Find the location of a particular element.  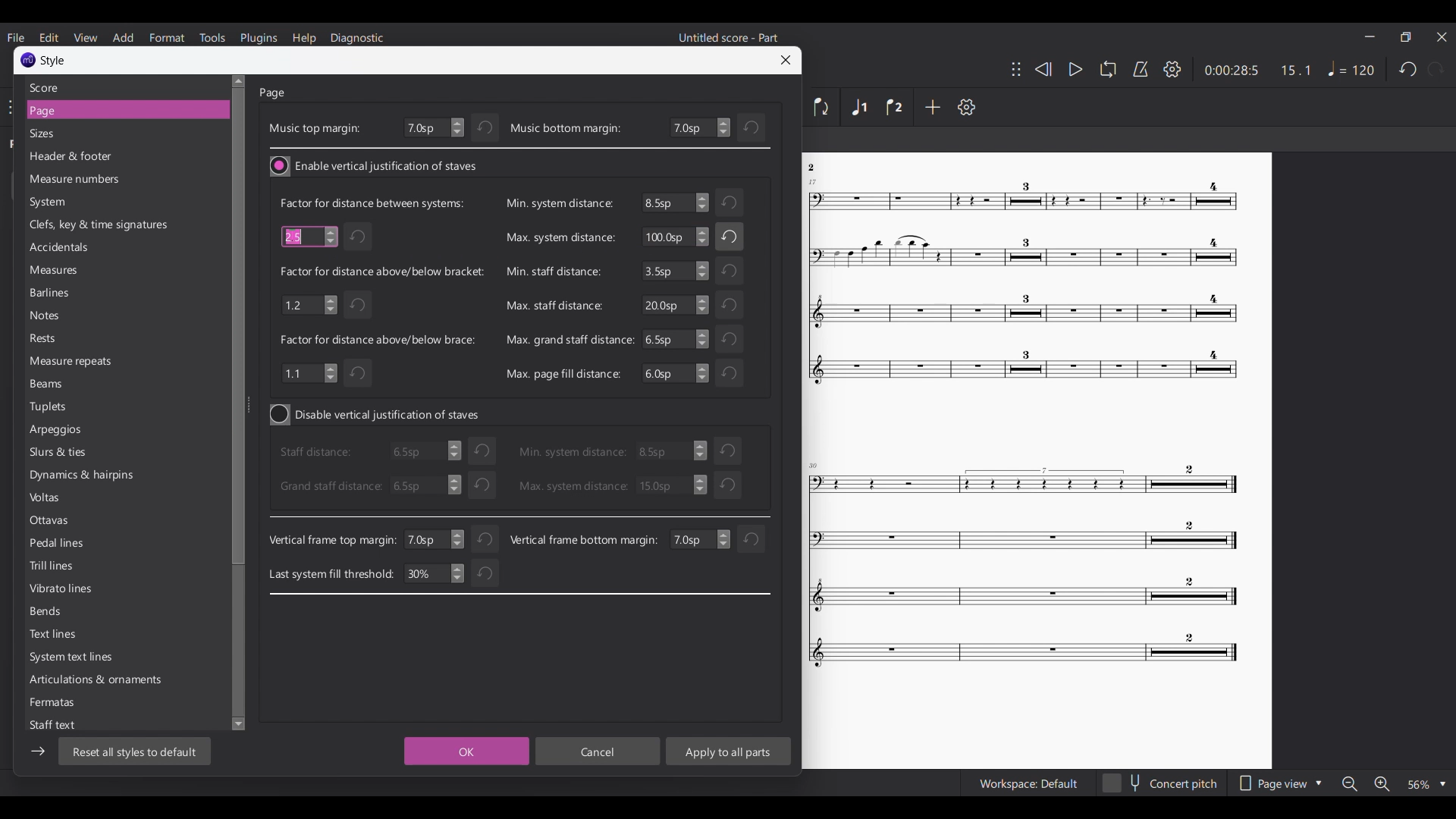

Voice 1 is located at coordinates (858, 107).